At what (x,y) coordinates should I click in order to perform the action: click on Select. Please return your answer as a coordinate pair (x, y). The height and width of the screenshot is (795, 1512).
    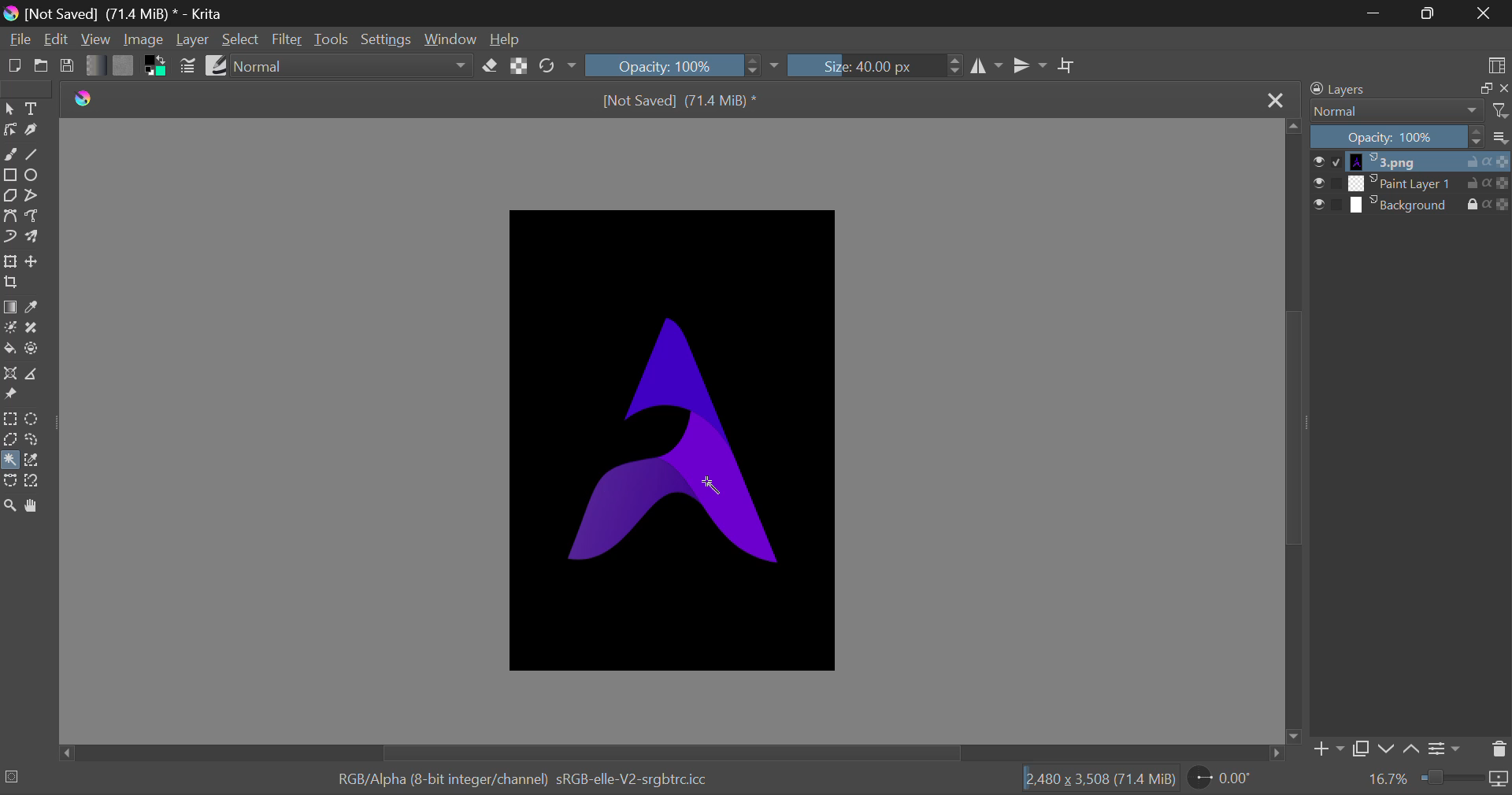
    Looking at the image, I should click on (241, 39).